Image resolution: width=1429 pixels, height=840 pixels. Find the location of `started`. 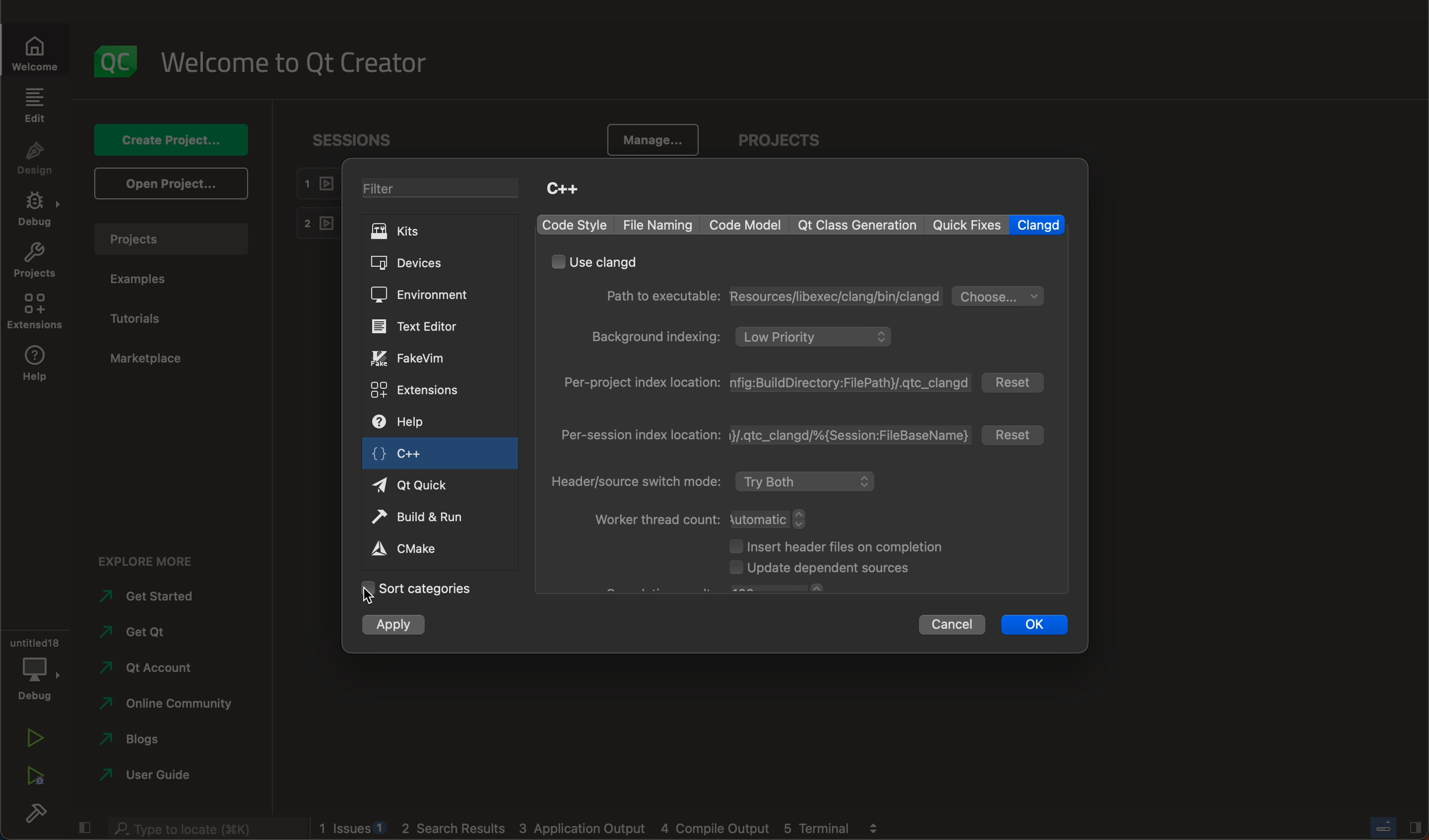

started is located at coordinates (146, 595).